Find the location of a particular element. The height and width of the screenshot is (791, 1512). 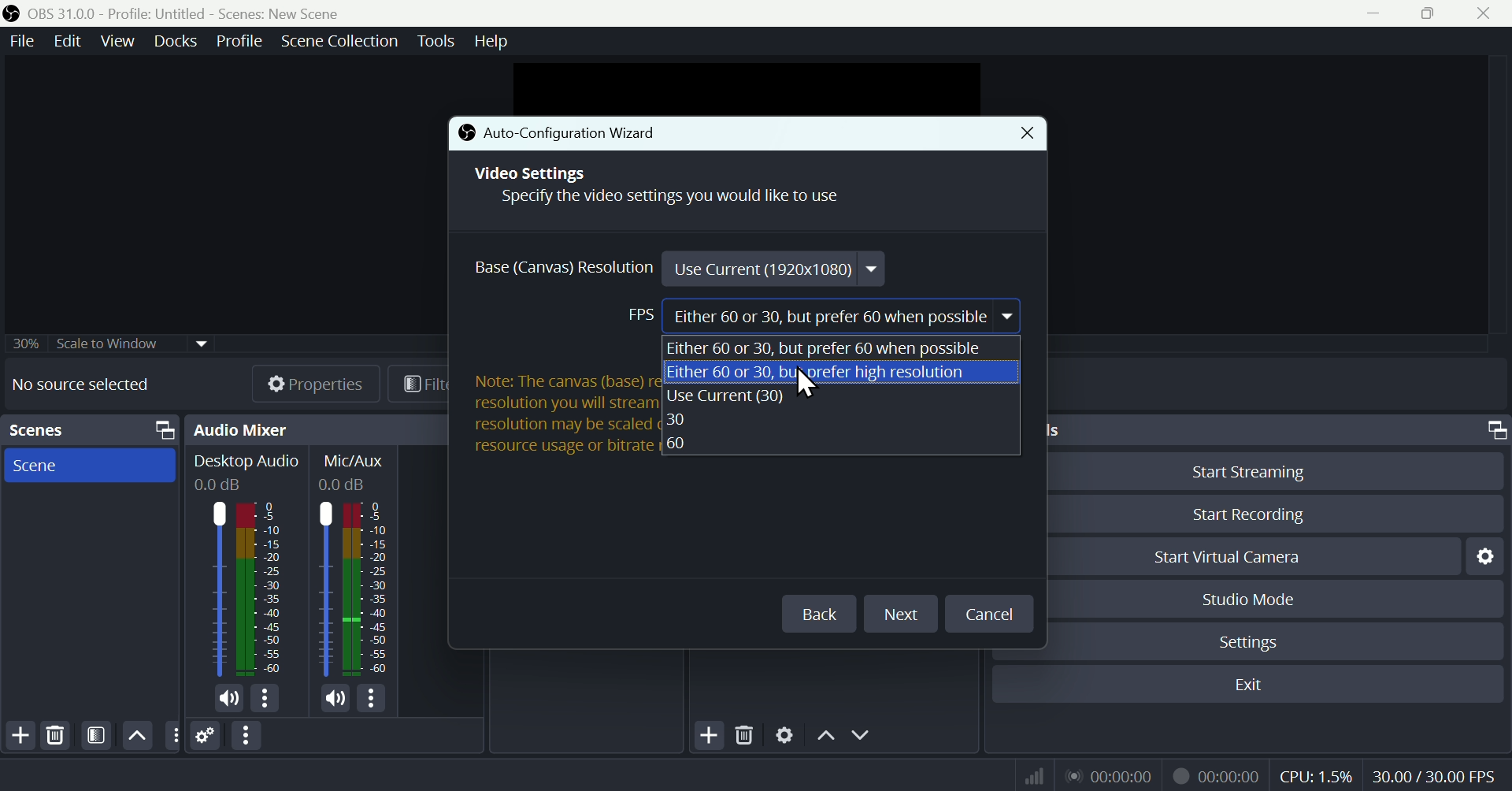

Filters is located at coordinates (94, 736).